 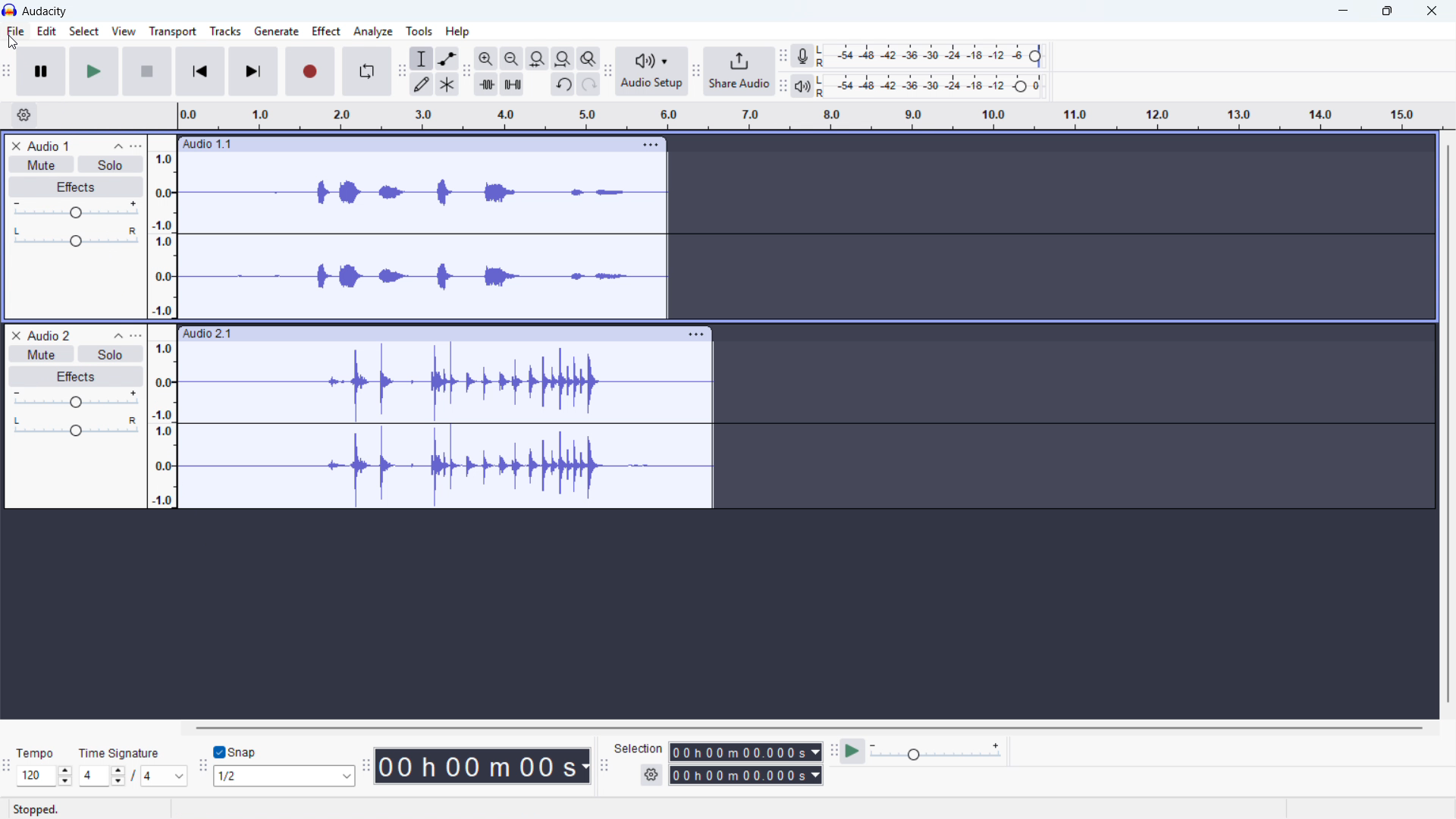 What do you see at coordinates (419, 31) in the screenshot?
I see `Tools` at bounding box center [419, 31].